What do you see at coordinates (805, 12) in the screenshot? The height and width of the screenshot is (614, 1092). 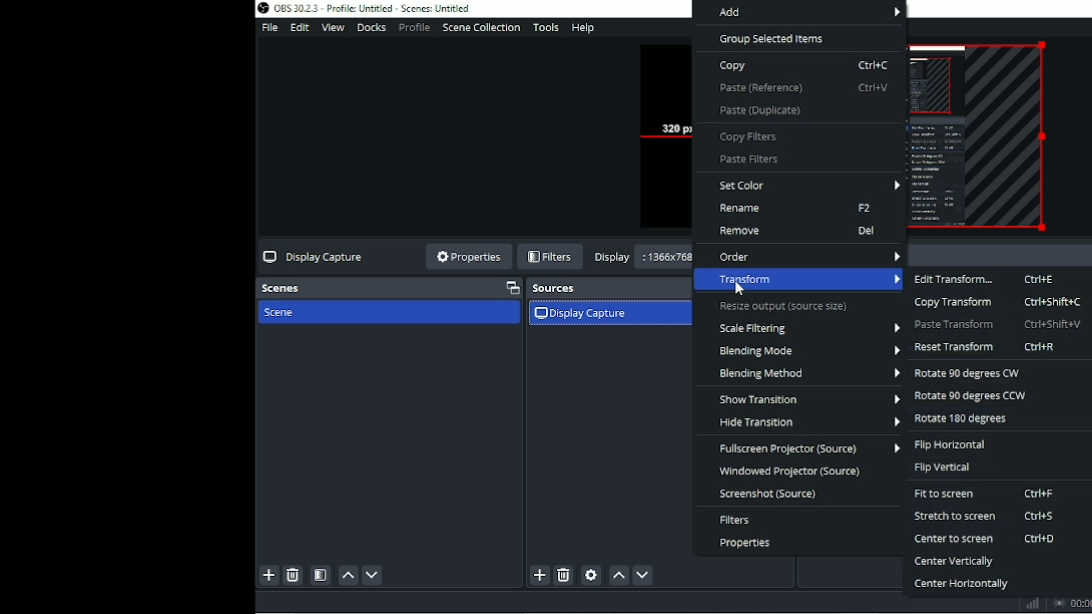 I see `Add` at bounding box center [805, 12].